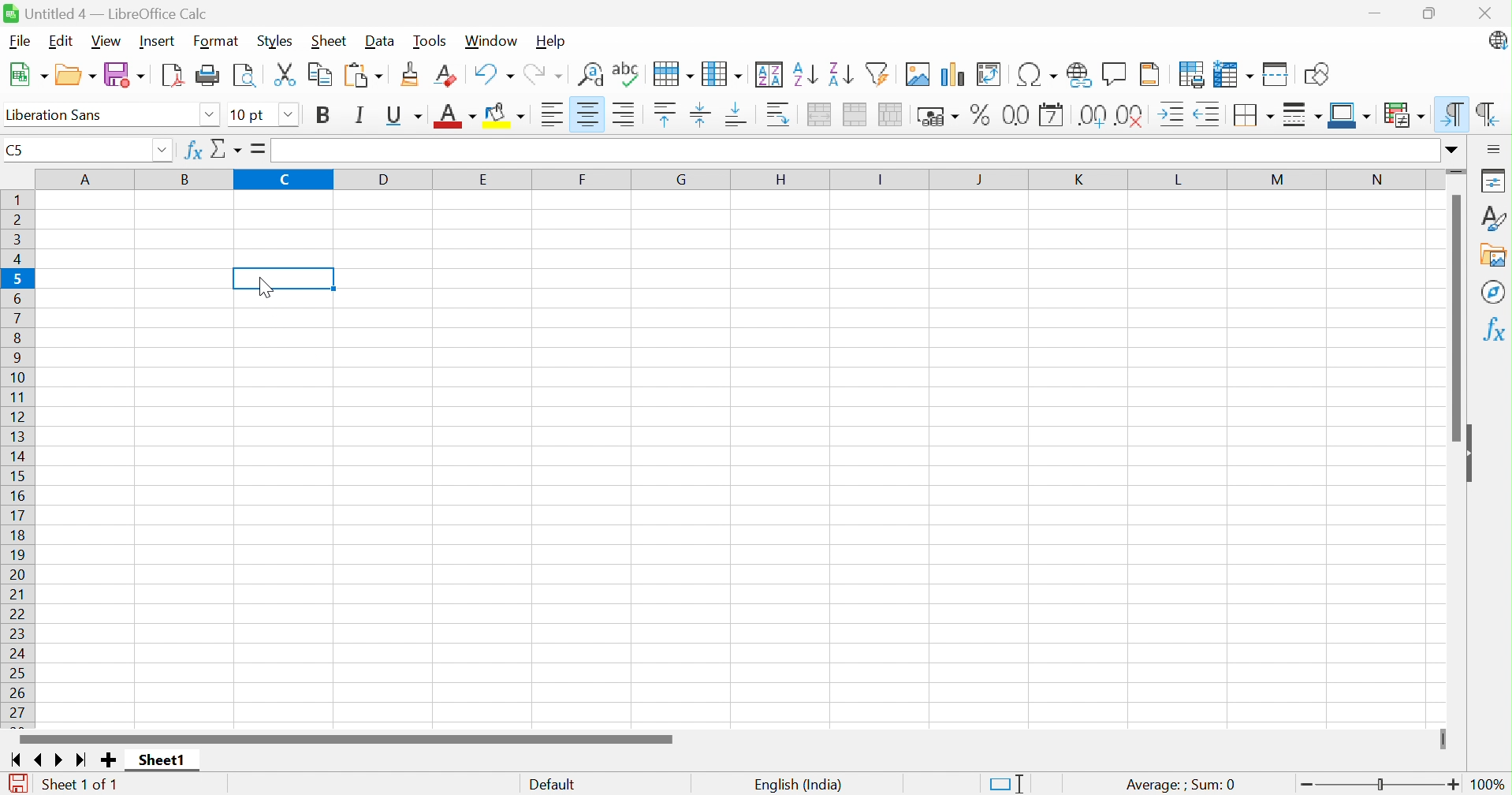  Describe the element at coordinates (1497, 42) in the screenshot. I see `LibreOffice Calc` at that location.